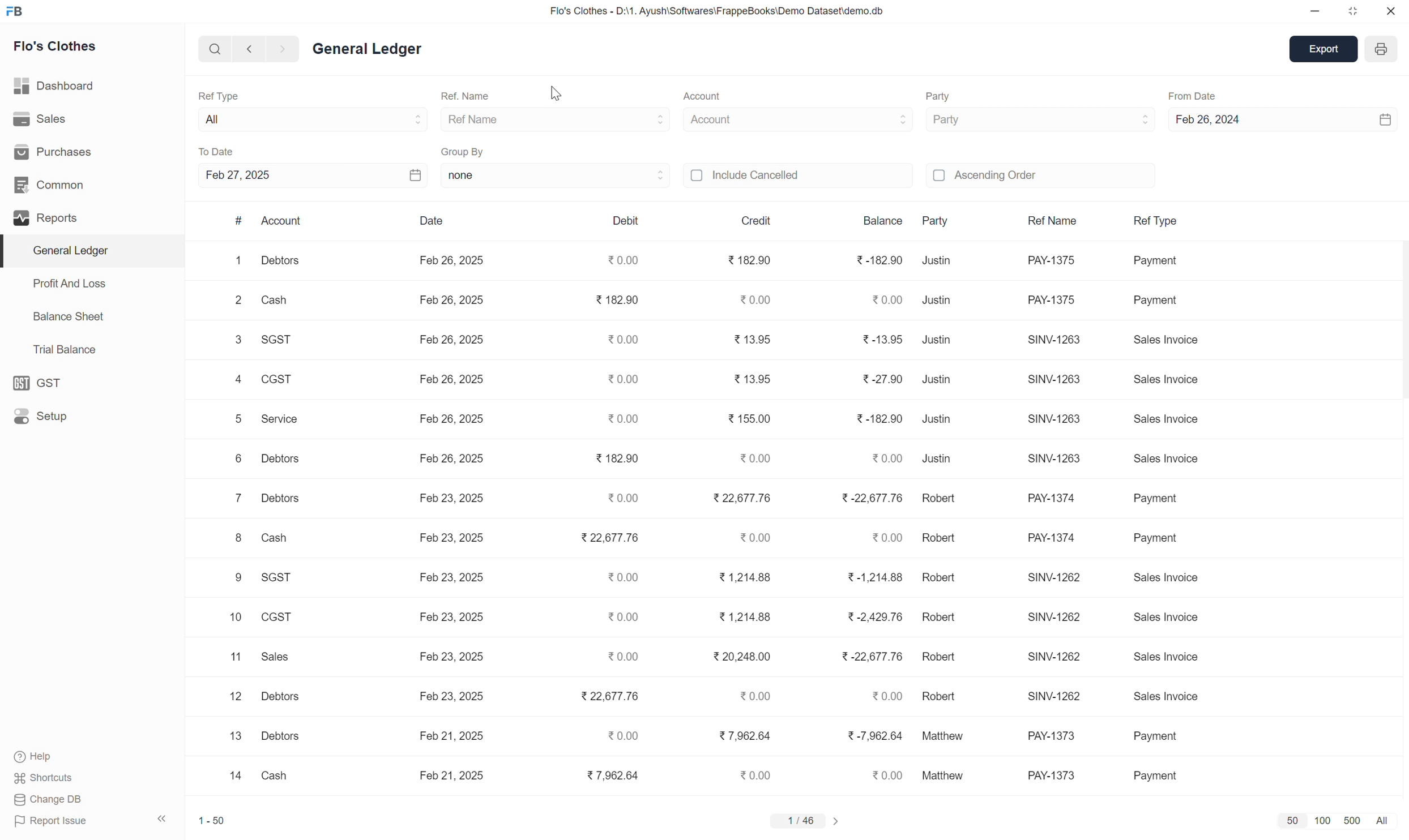 Image resolution: width=1409 pixels, height=840 pixels. Describe the element at coordinates (49, 777) in the screenshot. I see `shortcuts` at that location.